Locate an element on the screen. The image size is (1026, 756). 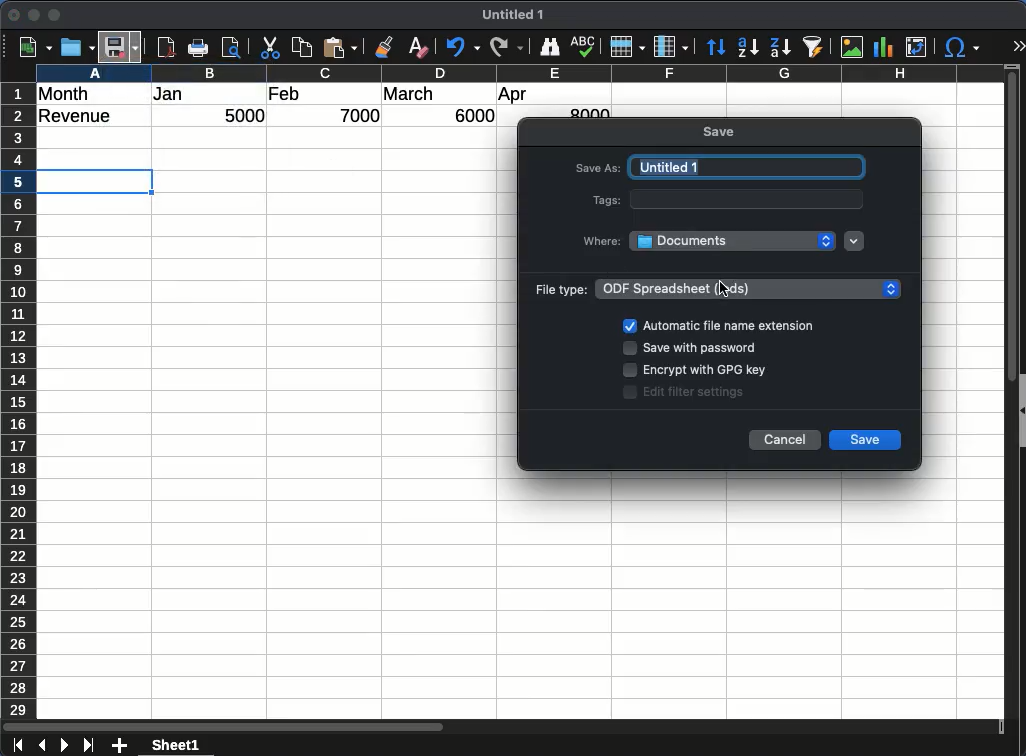
descending  is located at coordinates (779, 46).